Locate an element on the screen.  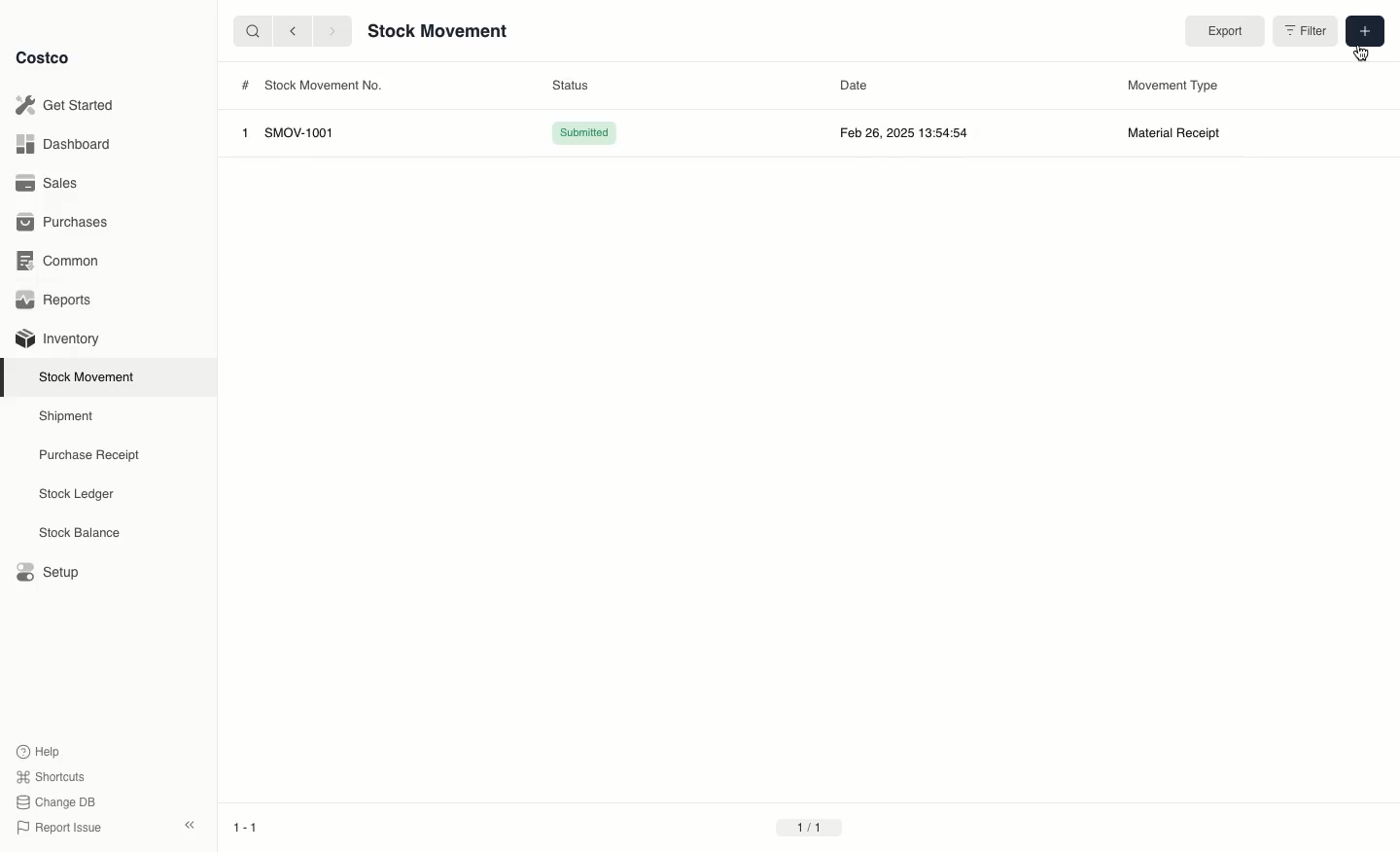
Purchase Receipt is located at coordinates (94, 454).